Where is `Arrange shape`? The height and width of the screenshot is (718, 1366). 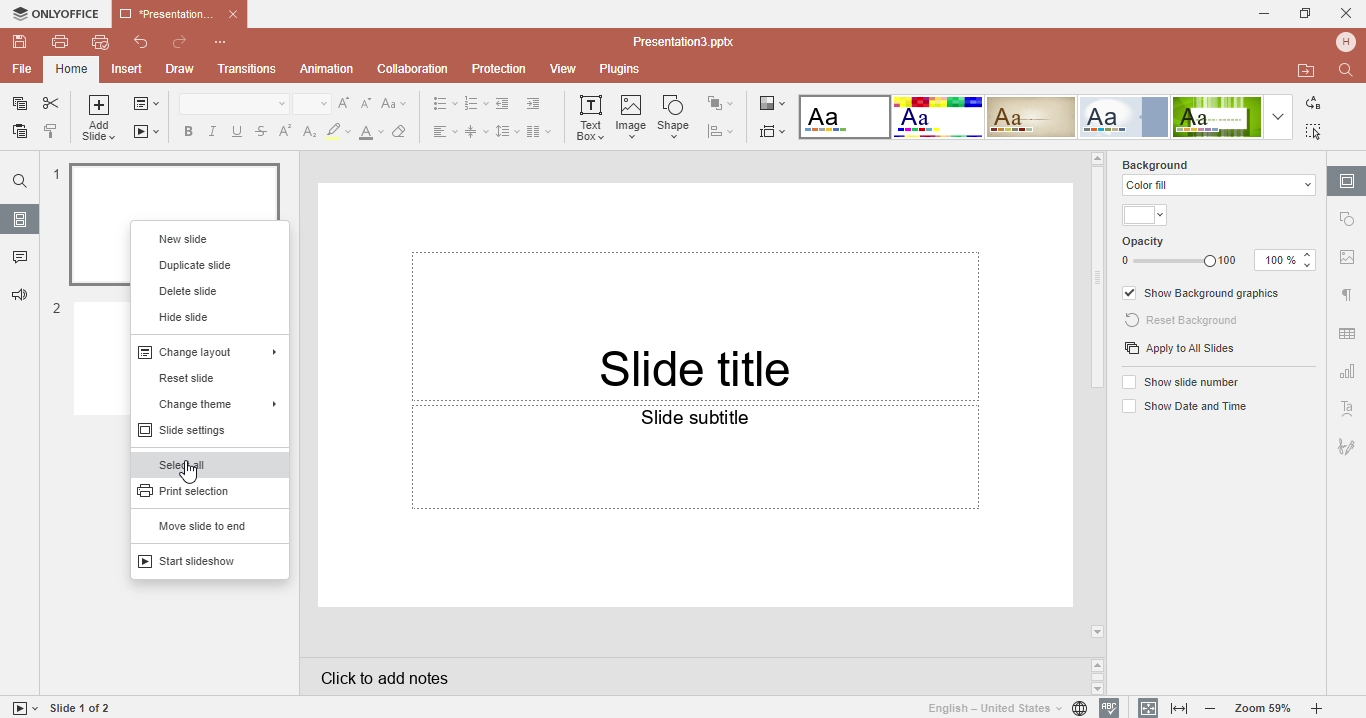 Arrange shape is located at coordinates (724, 103).